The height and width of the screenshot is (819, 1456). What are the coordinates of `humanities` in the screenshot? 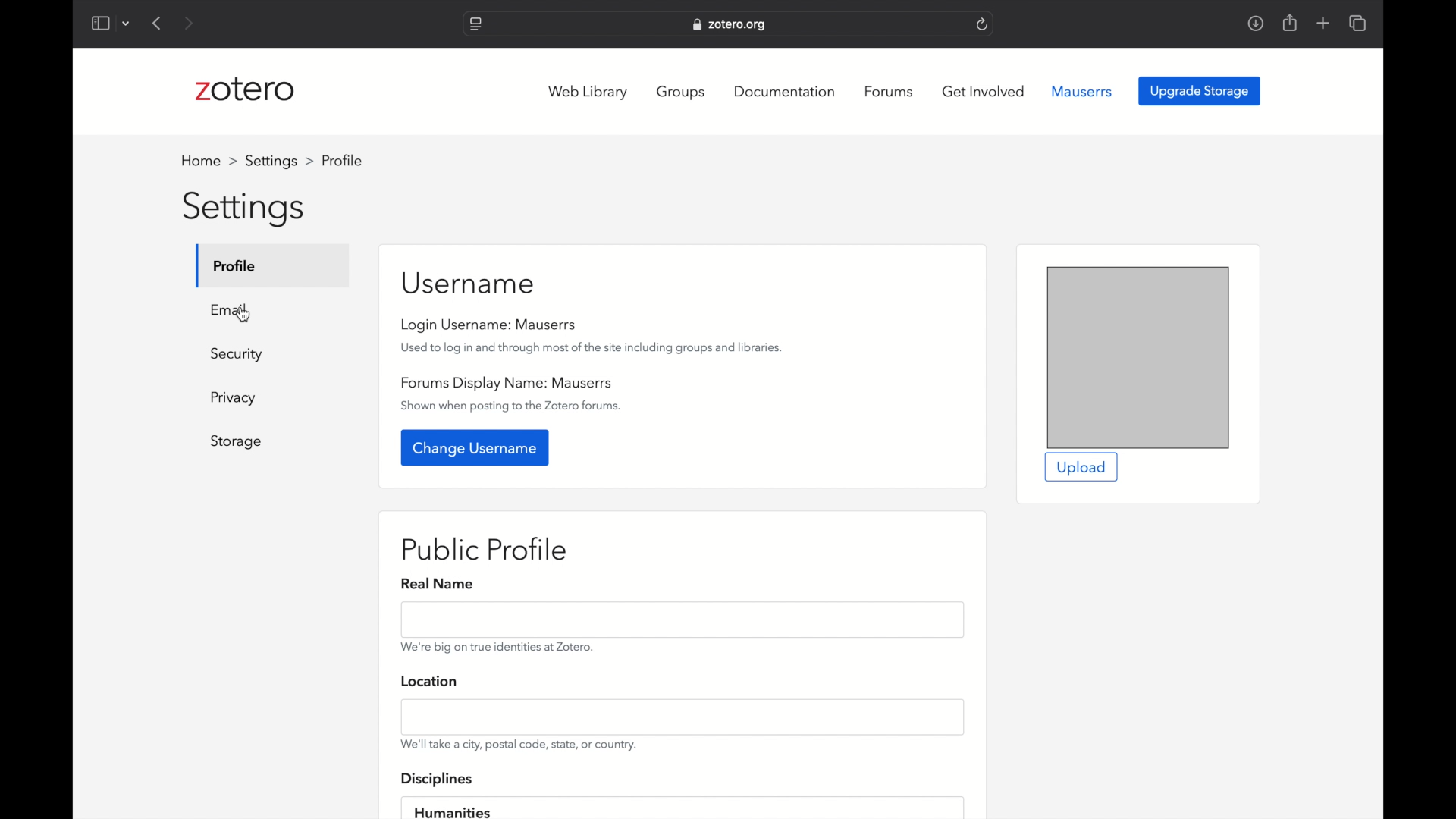 It's located at (452, 811).